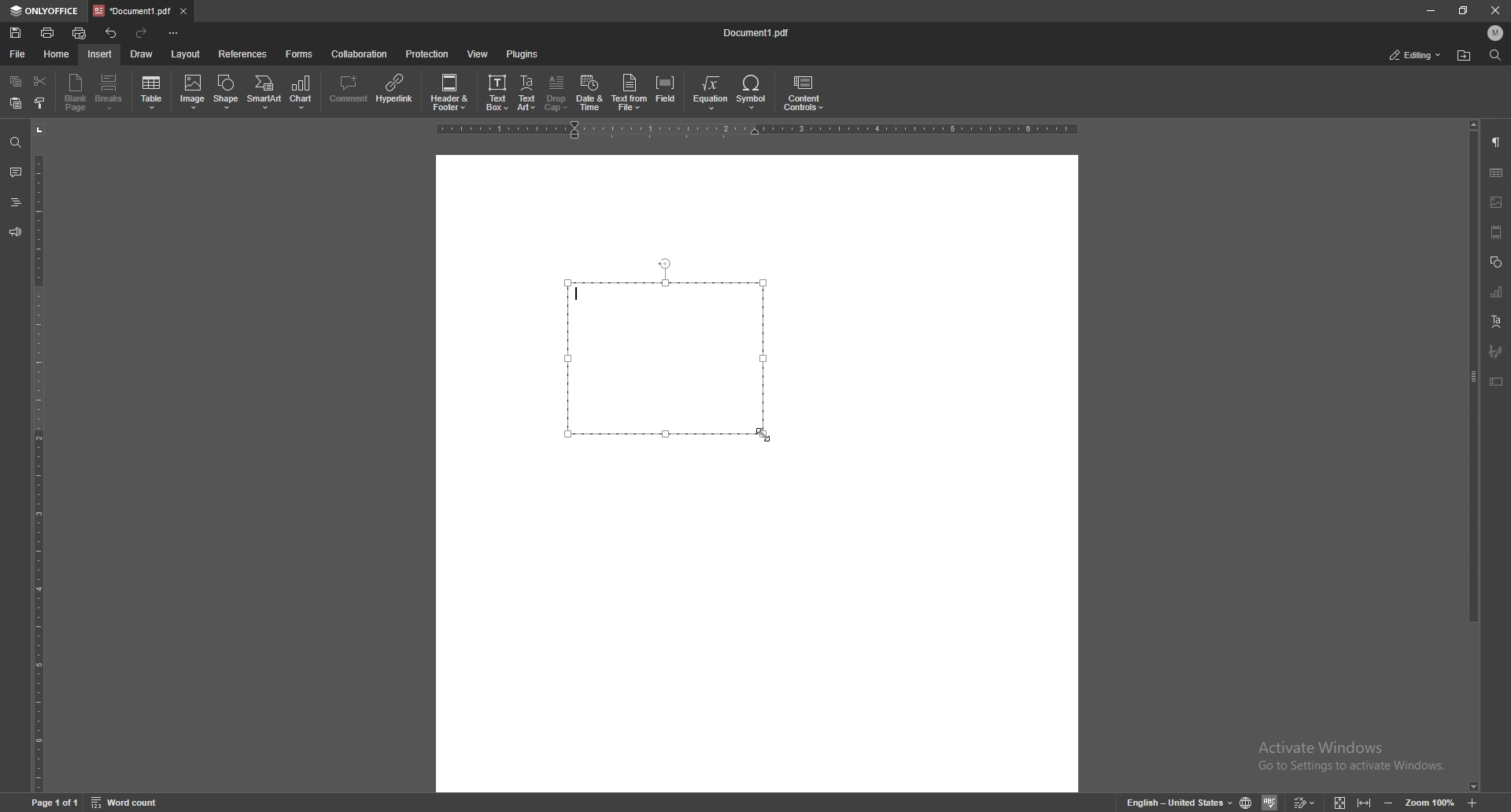 The width and height of the screenshot is (1511, 812). I want to click on onlyoffice, so click(45, 12).